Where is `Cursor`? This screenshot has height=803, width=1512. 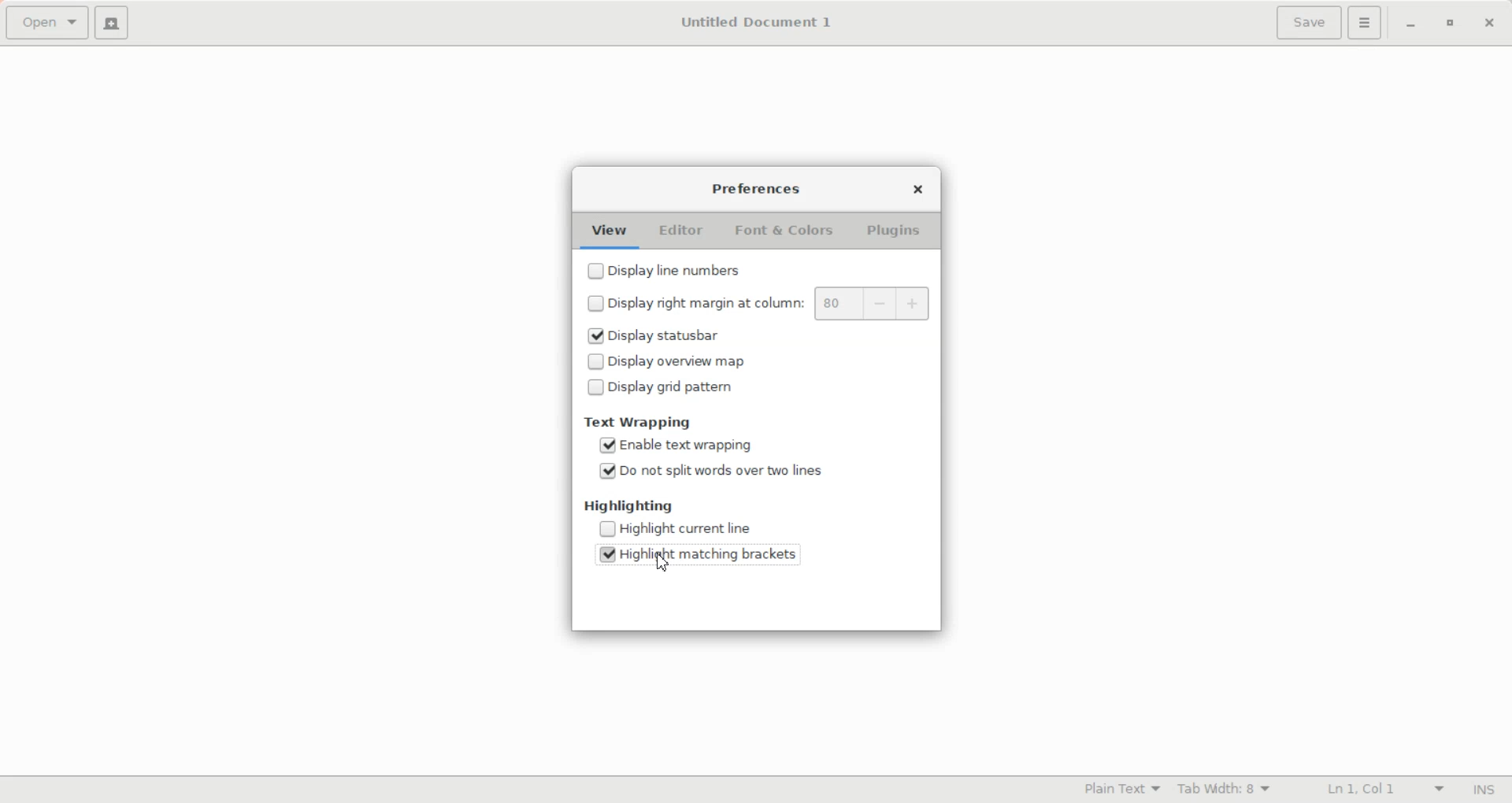
Cursor is located at coordinates (662, 563).